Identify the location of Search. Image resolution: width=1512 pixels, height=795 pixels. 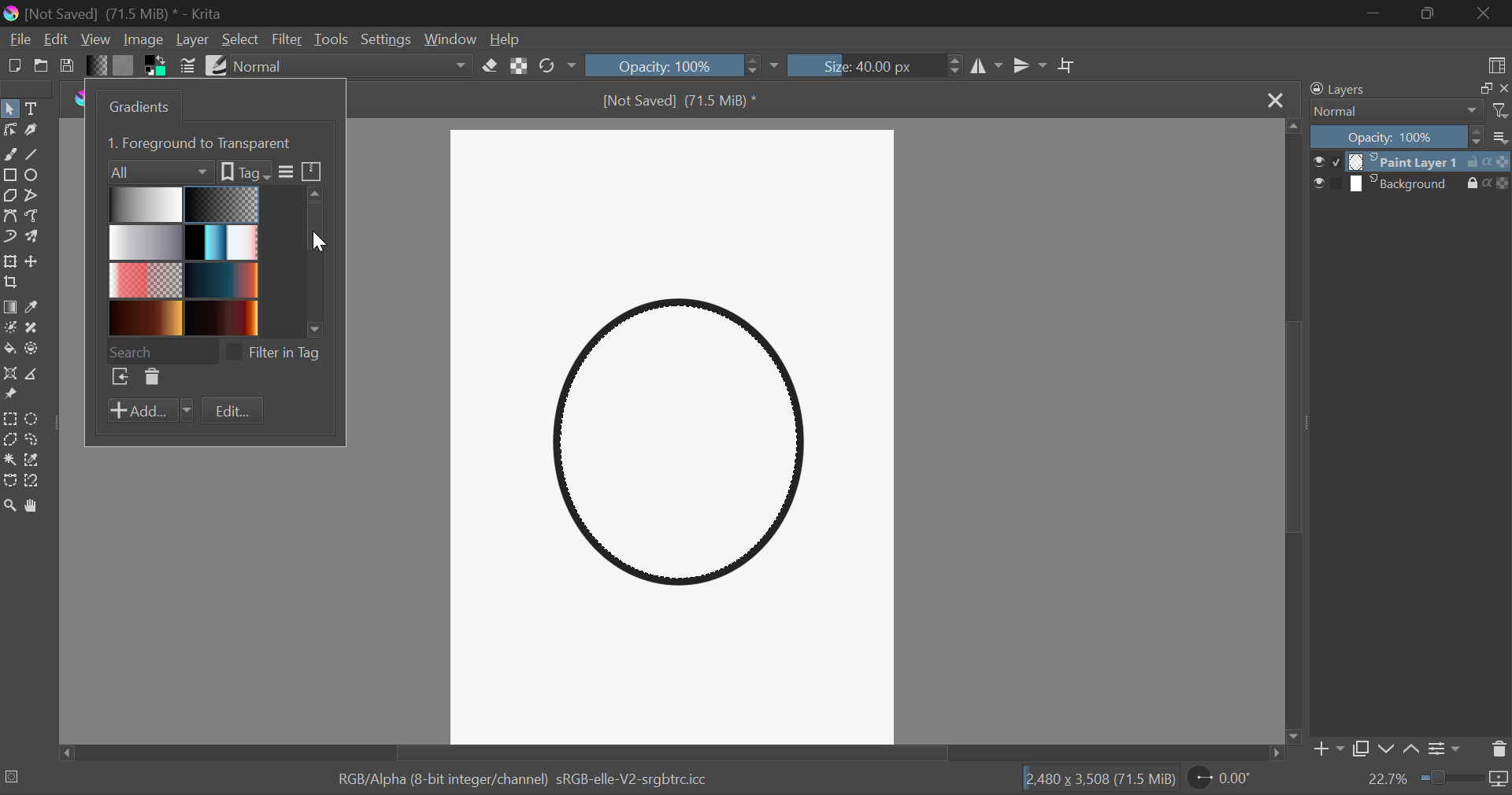
(161, 352).